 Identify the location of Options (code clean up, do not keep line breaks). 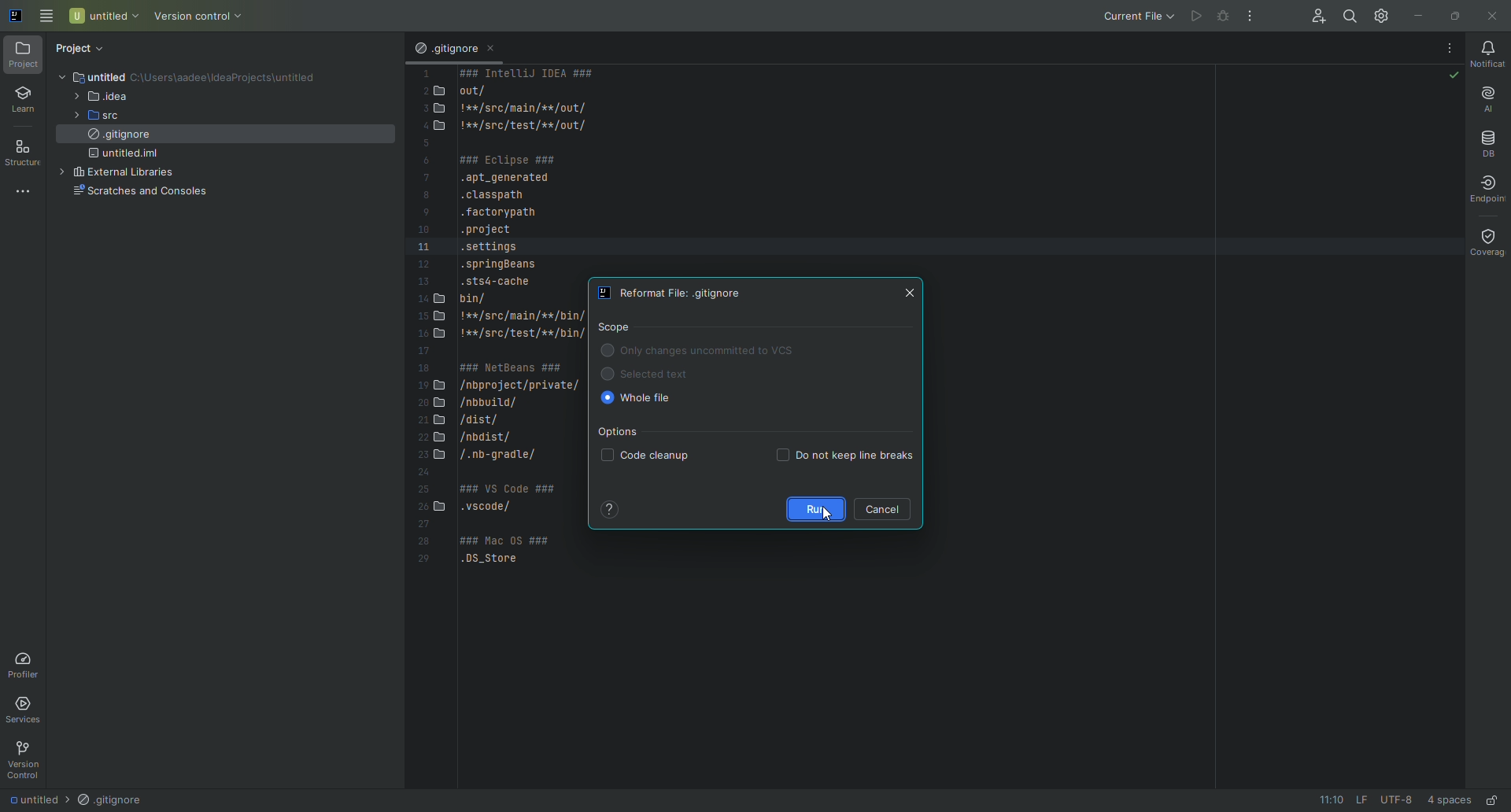
(758, 446).